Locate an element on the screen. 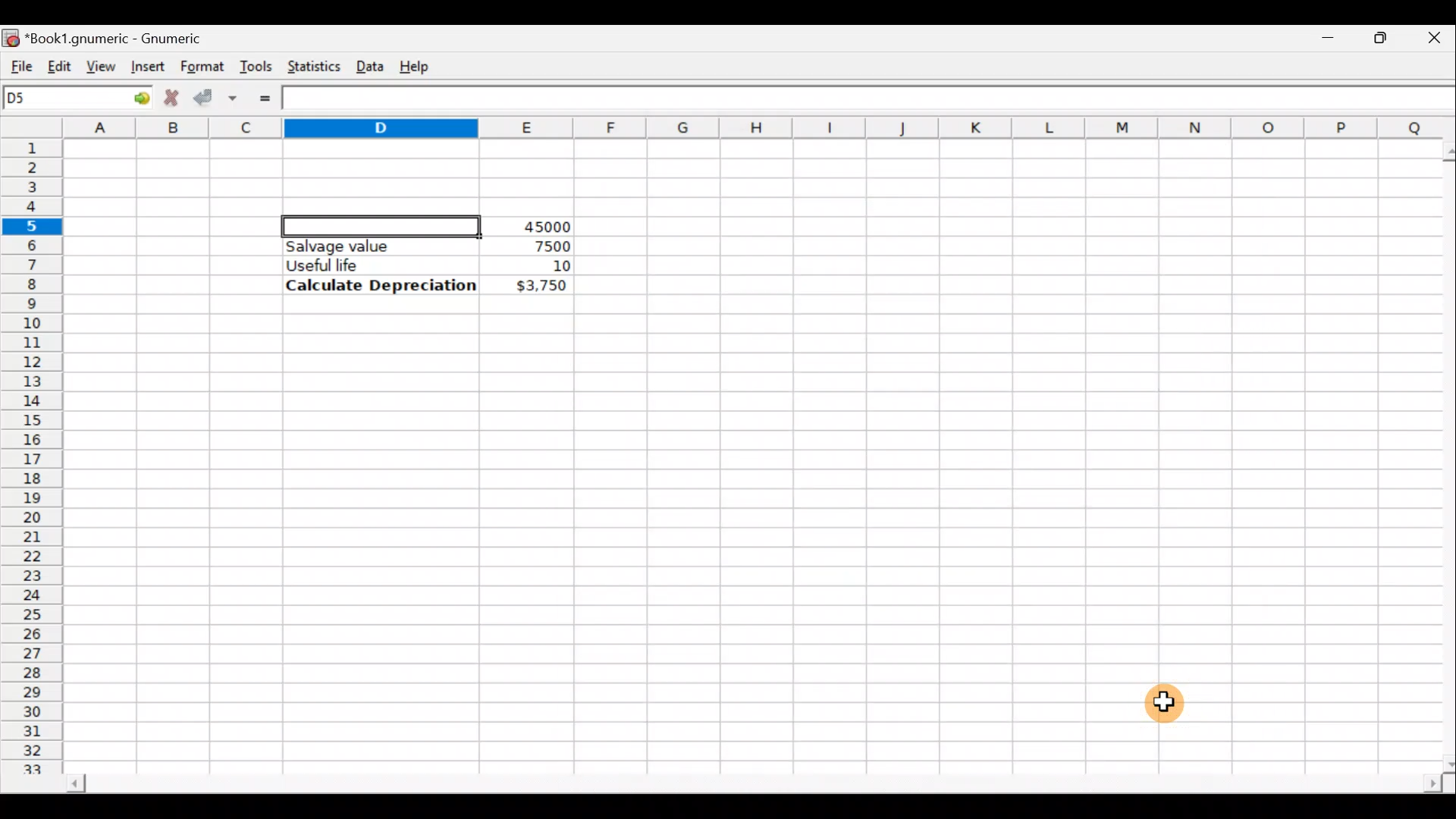  Cancel change is located at coordinates (170, 96).